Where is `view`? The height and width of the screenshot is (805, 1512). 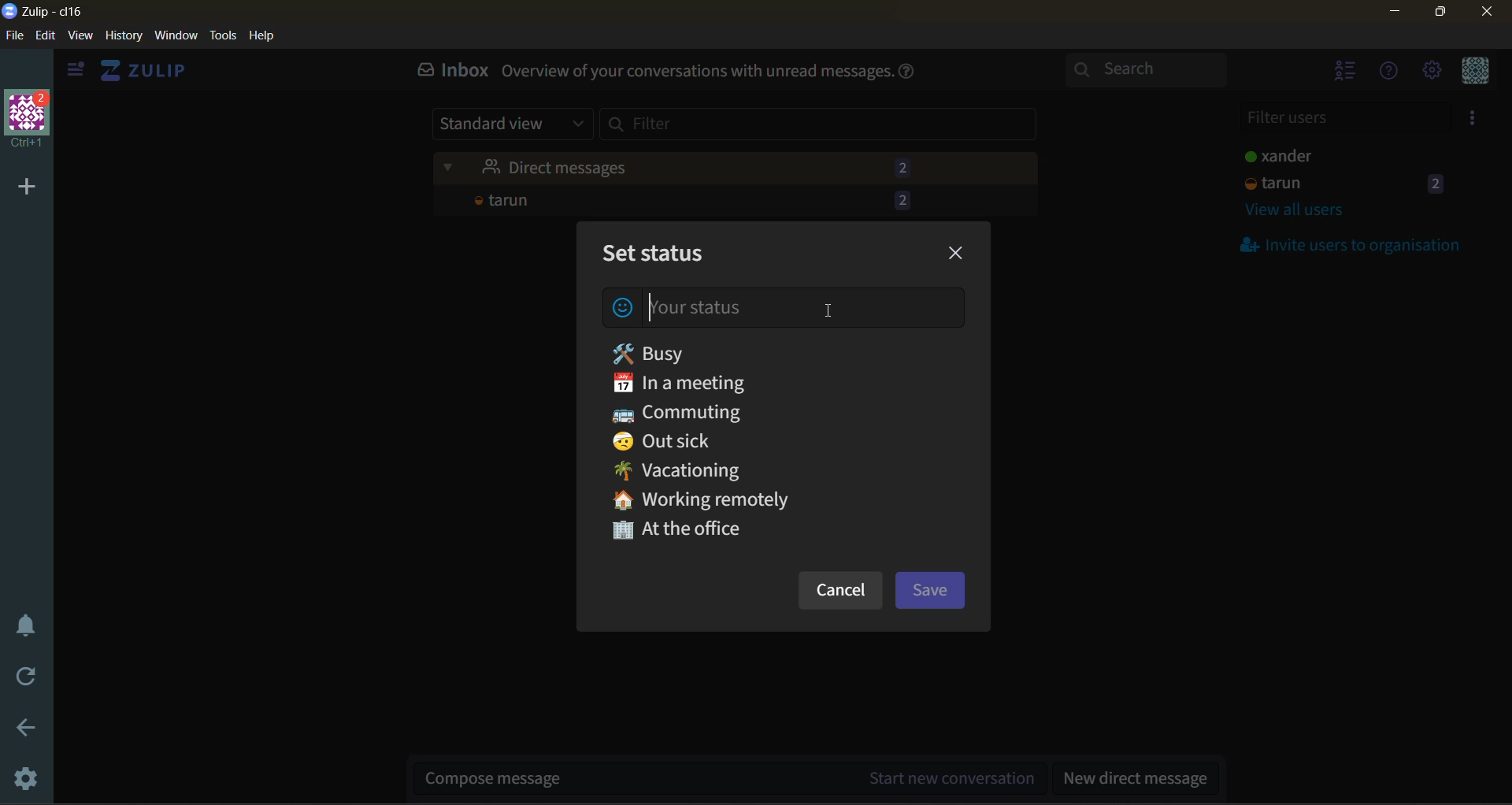
view is located at coordinates (81, 36).